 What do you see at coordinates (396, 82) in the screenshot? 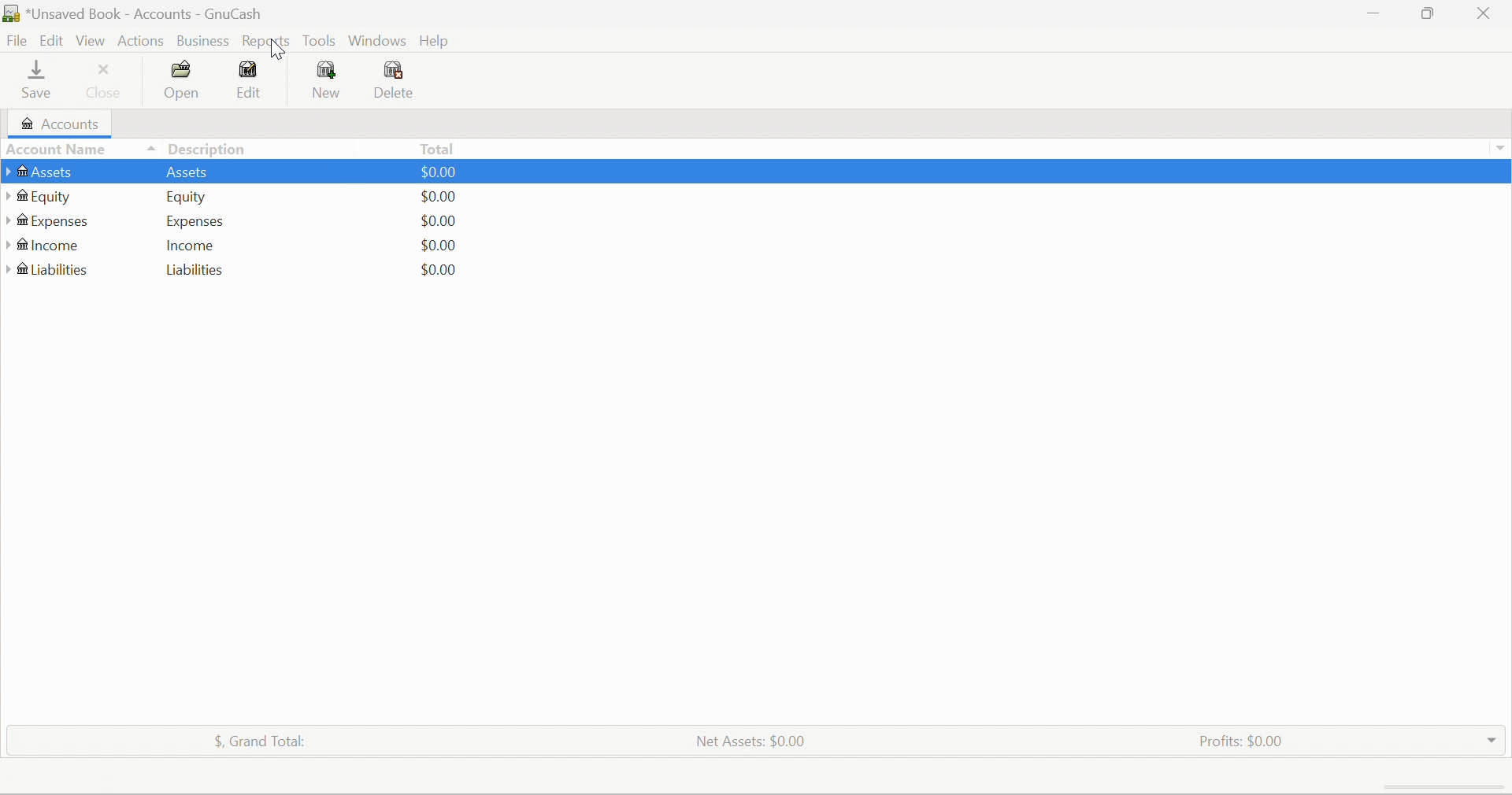
I see `Delete` at bounding box center [396, 82].